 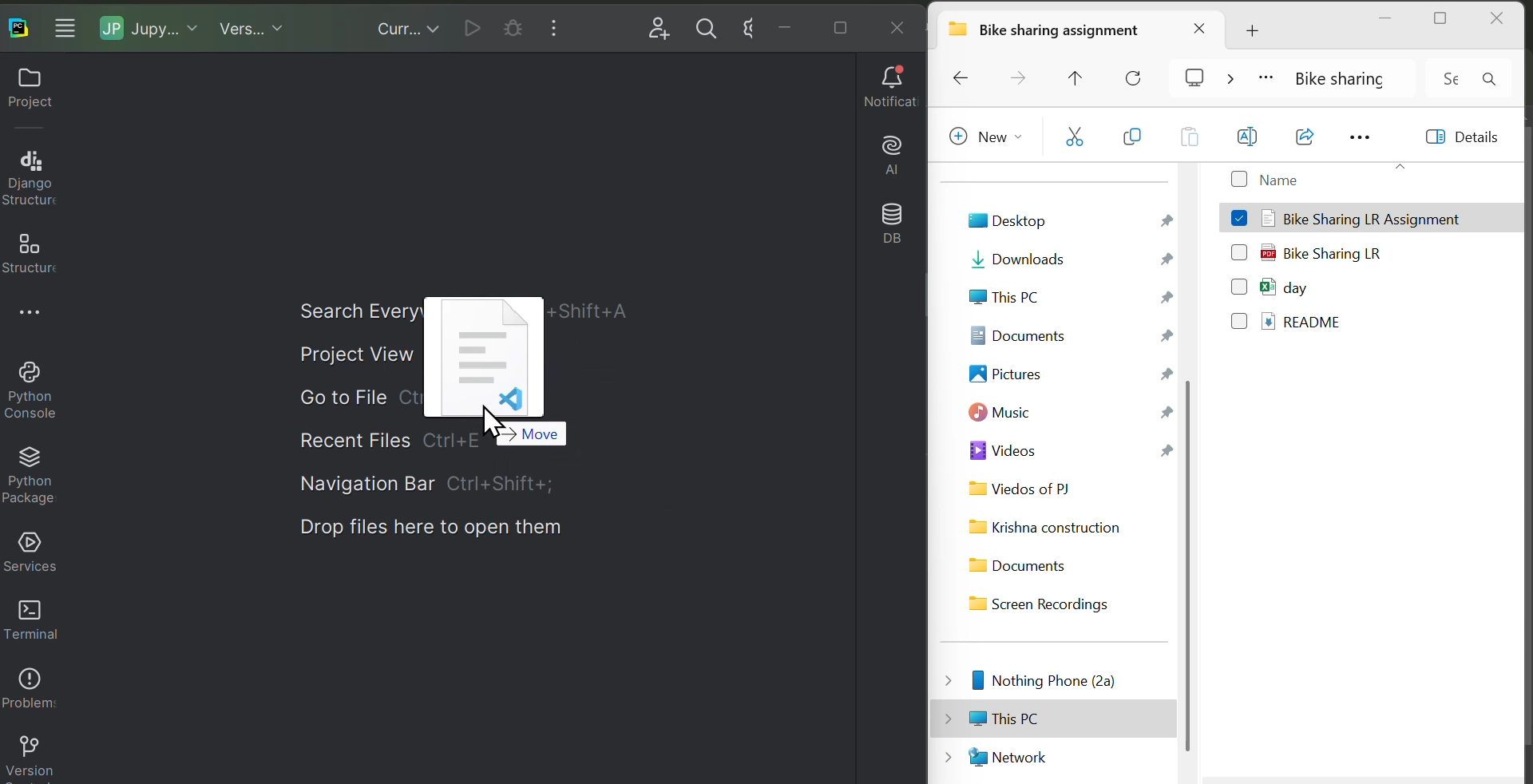 What do you see at coordinates (513, 24) in the screenshot?
I see `Current cell` at bounding box center [513, 24].